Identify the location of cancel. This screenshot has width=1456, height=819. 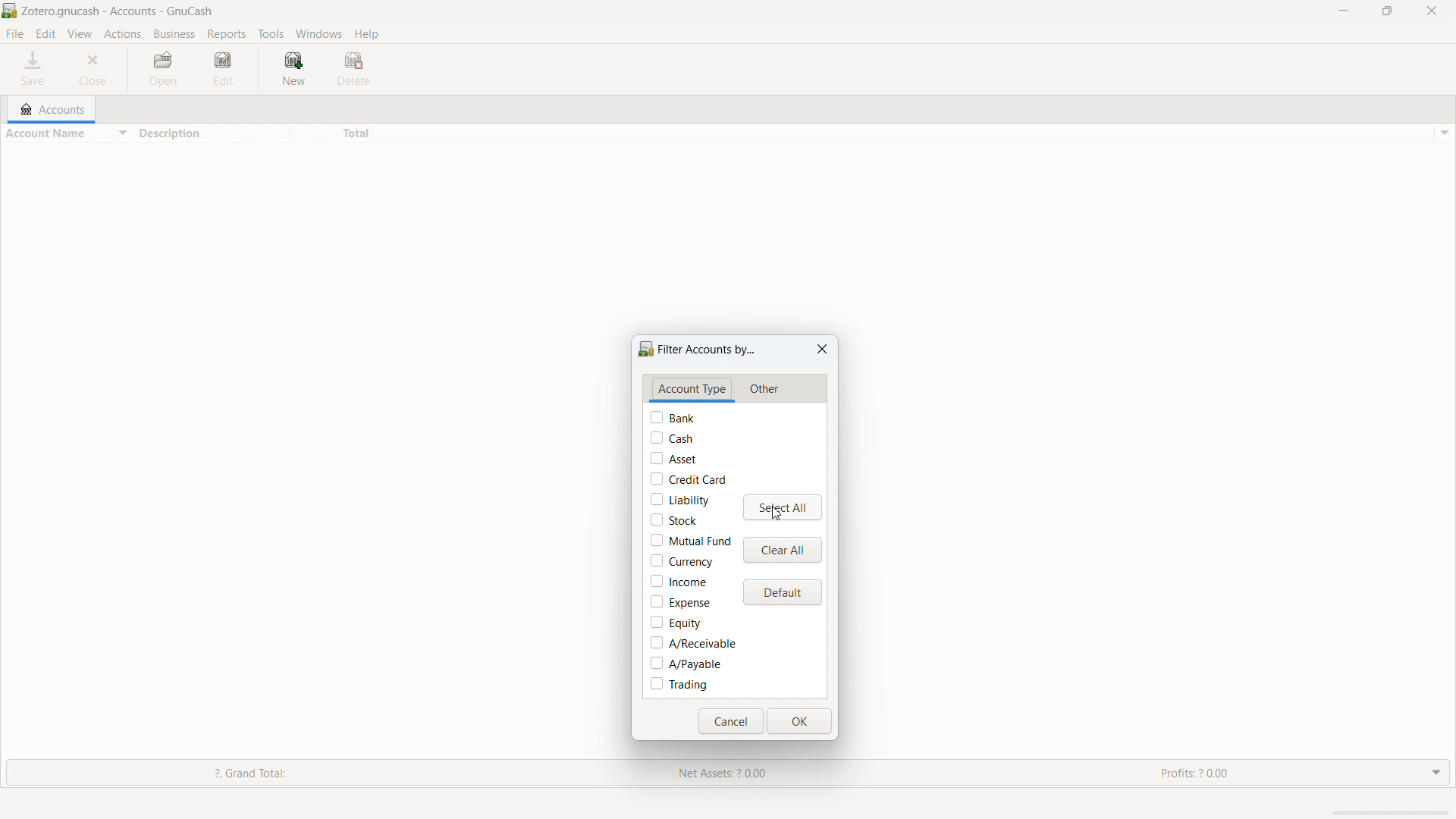
(730, 721).